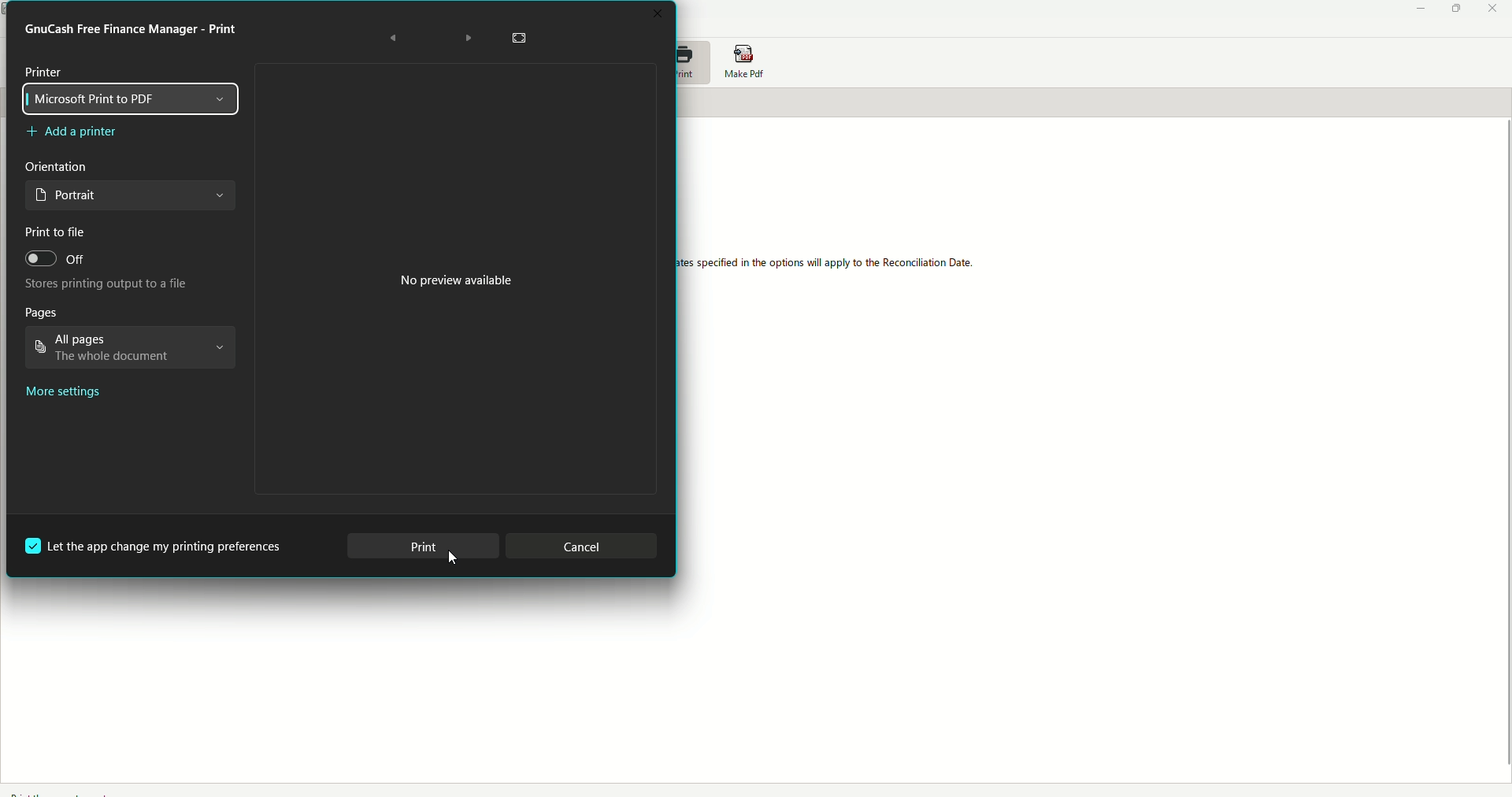  Describe the element at coordinates (395, 39) in the screenshot. I see `Back` at that location.